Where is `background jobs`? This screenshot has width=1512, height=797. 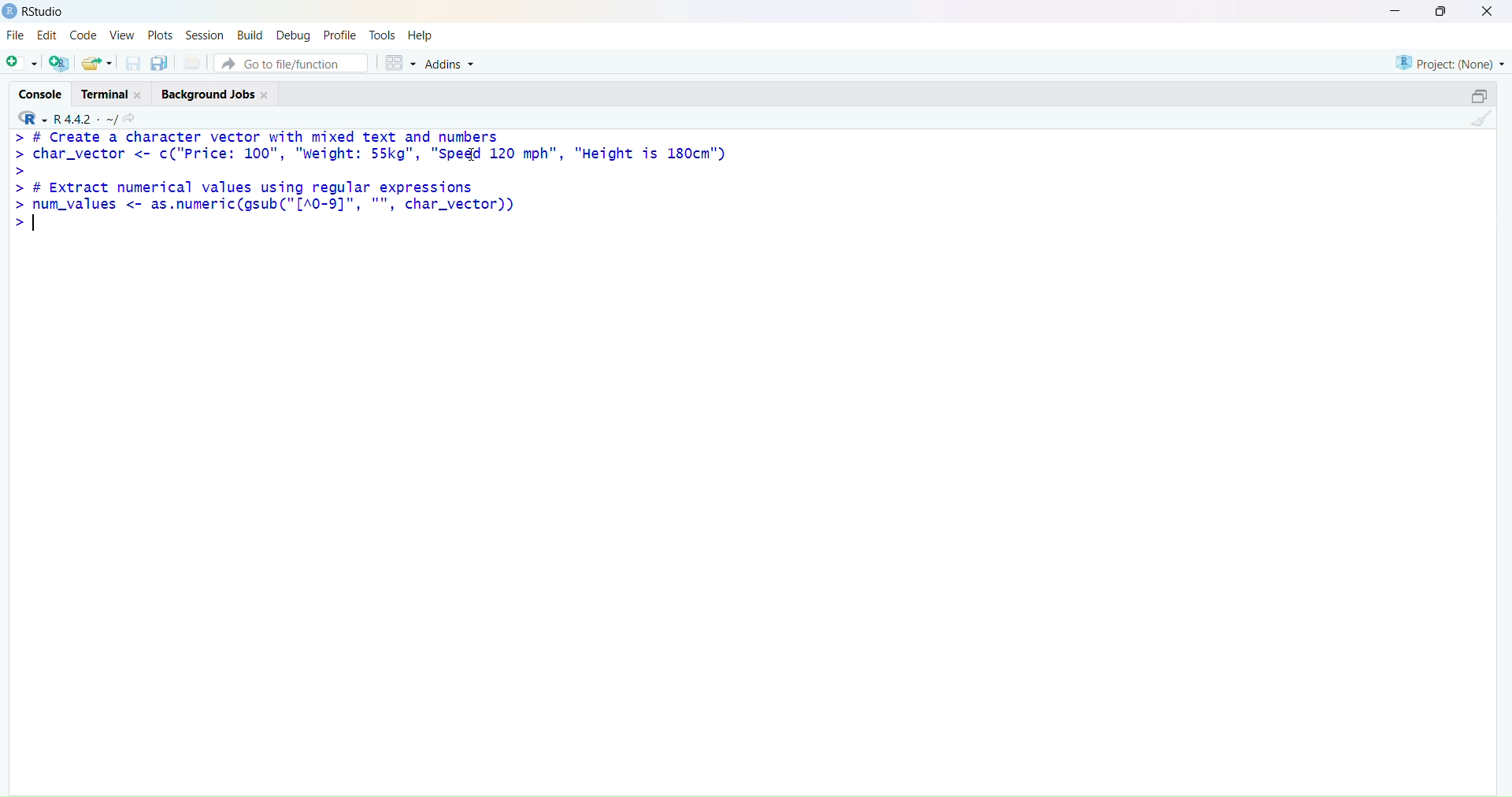 background jobs is located at coordinates (208, 95).